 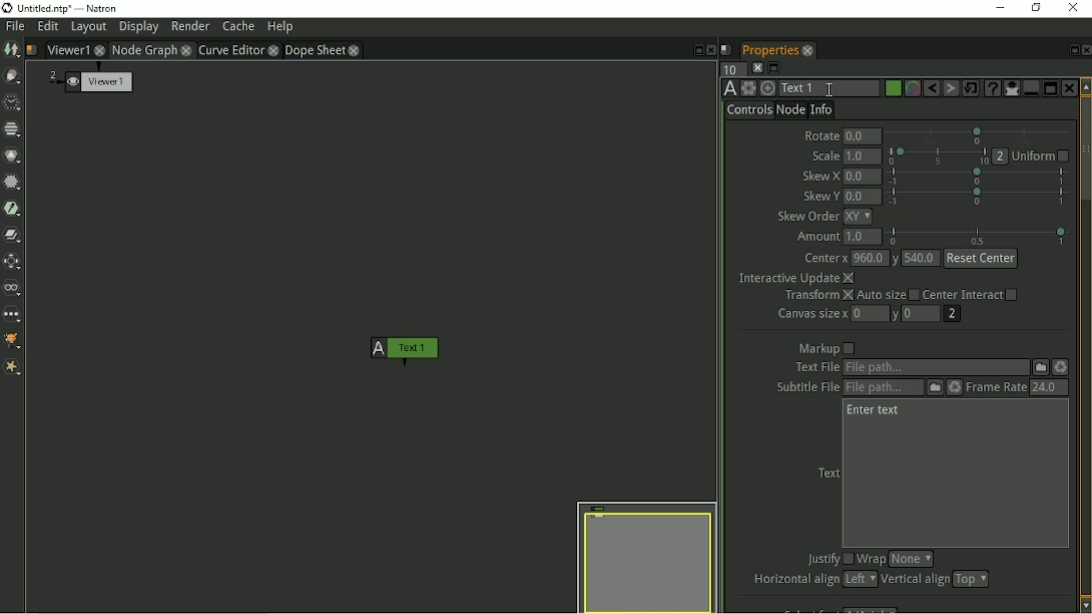 I want to click on 0.0, so click(x=863, y=196).